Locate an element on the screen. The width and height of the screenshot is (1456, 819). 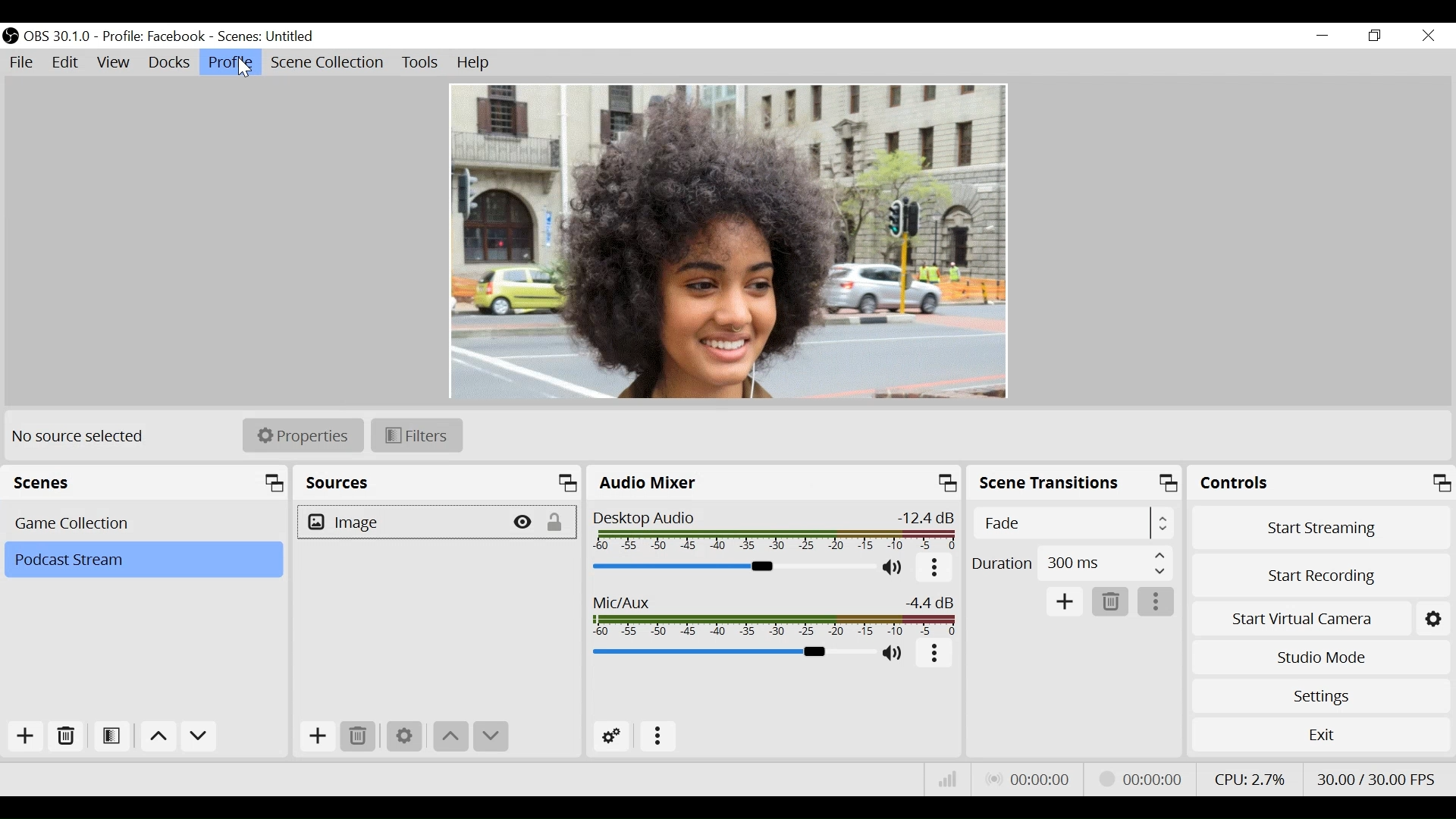
minimize is located at coordinates (1323, 37).